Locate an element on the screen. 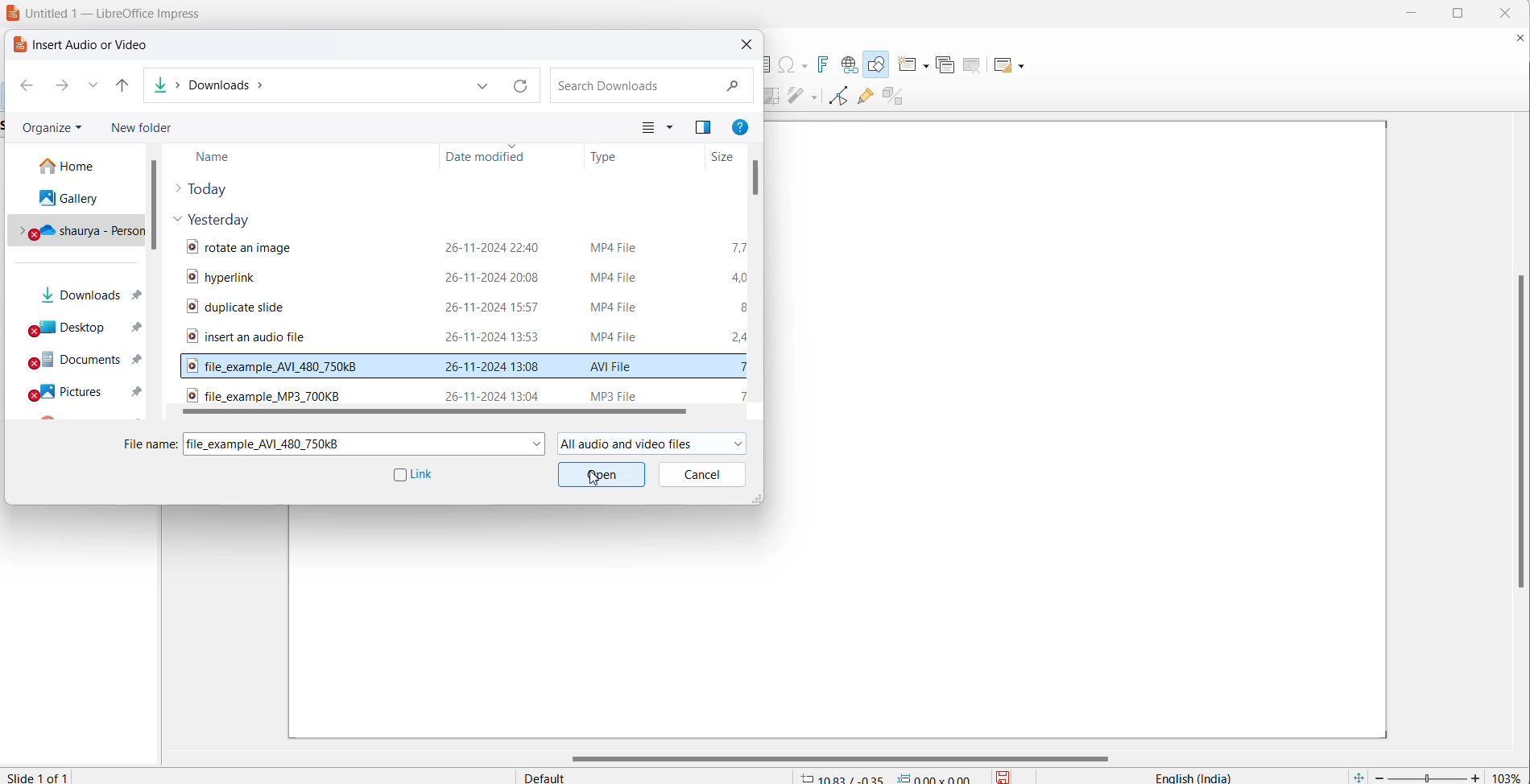 The height and width of the screenshot is (784, 1530). slide master type is located at coordinates (659, 775).